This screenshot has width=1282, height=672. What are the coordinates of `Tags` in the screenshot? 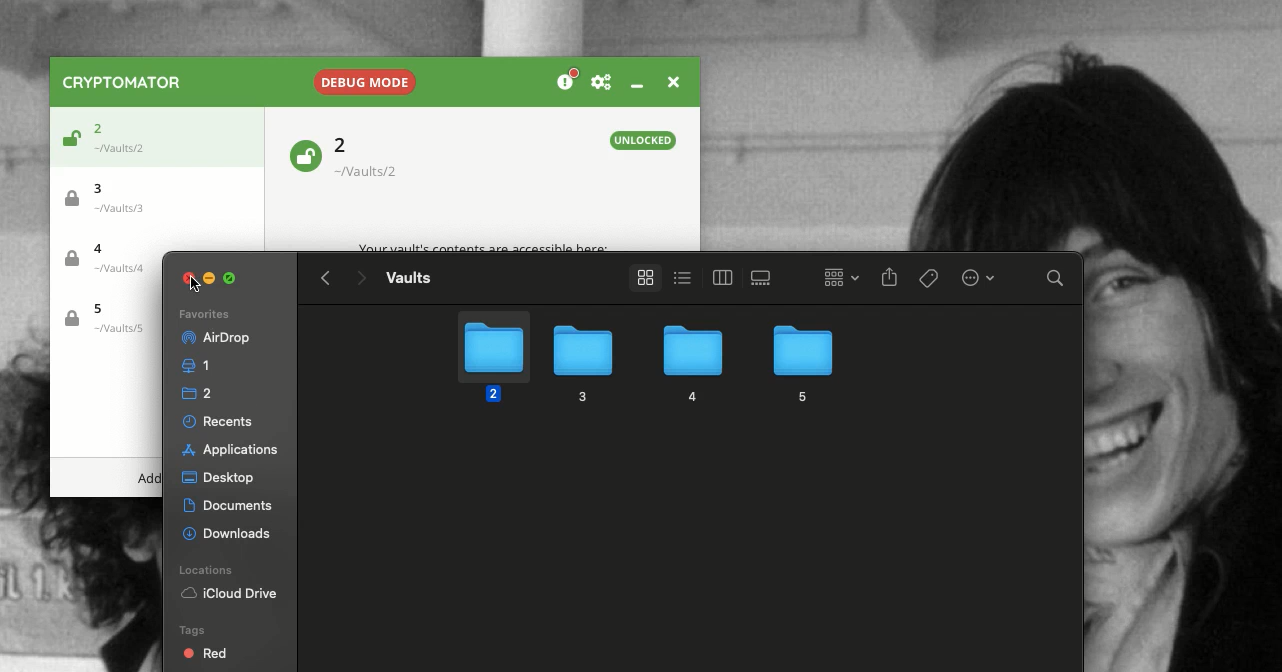 It's located at (233, 595).